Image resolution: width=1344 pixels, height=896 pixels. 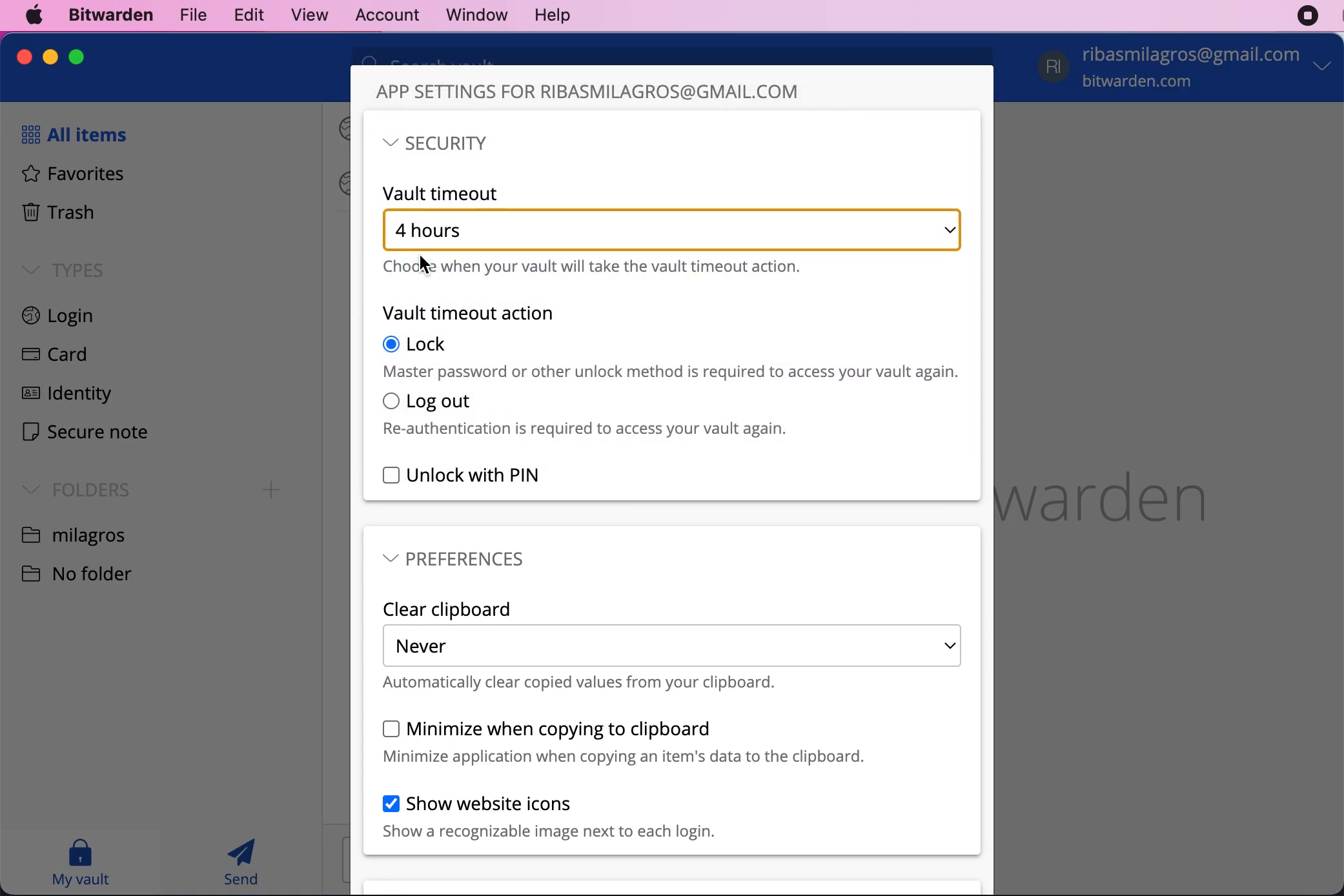 I want to click on close, so click(x=25, y=57).